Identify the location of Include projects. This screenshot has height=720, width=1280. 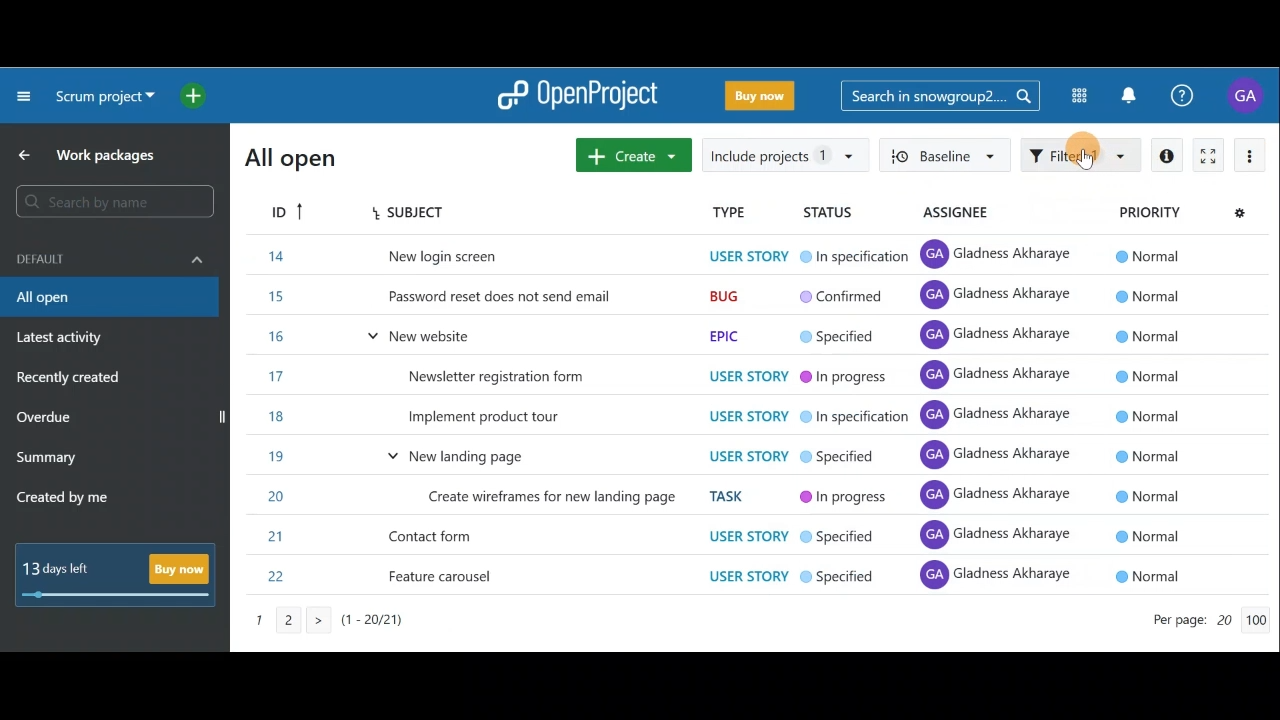
(784, 156).